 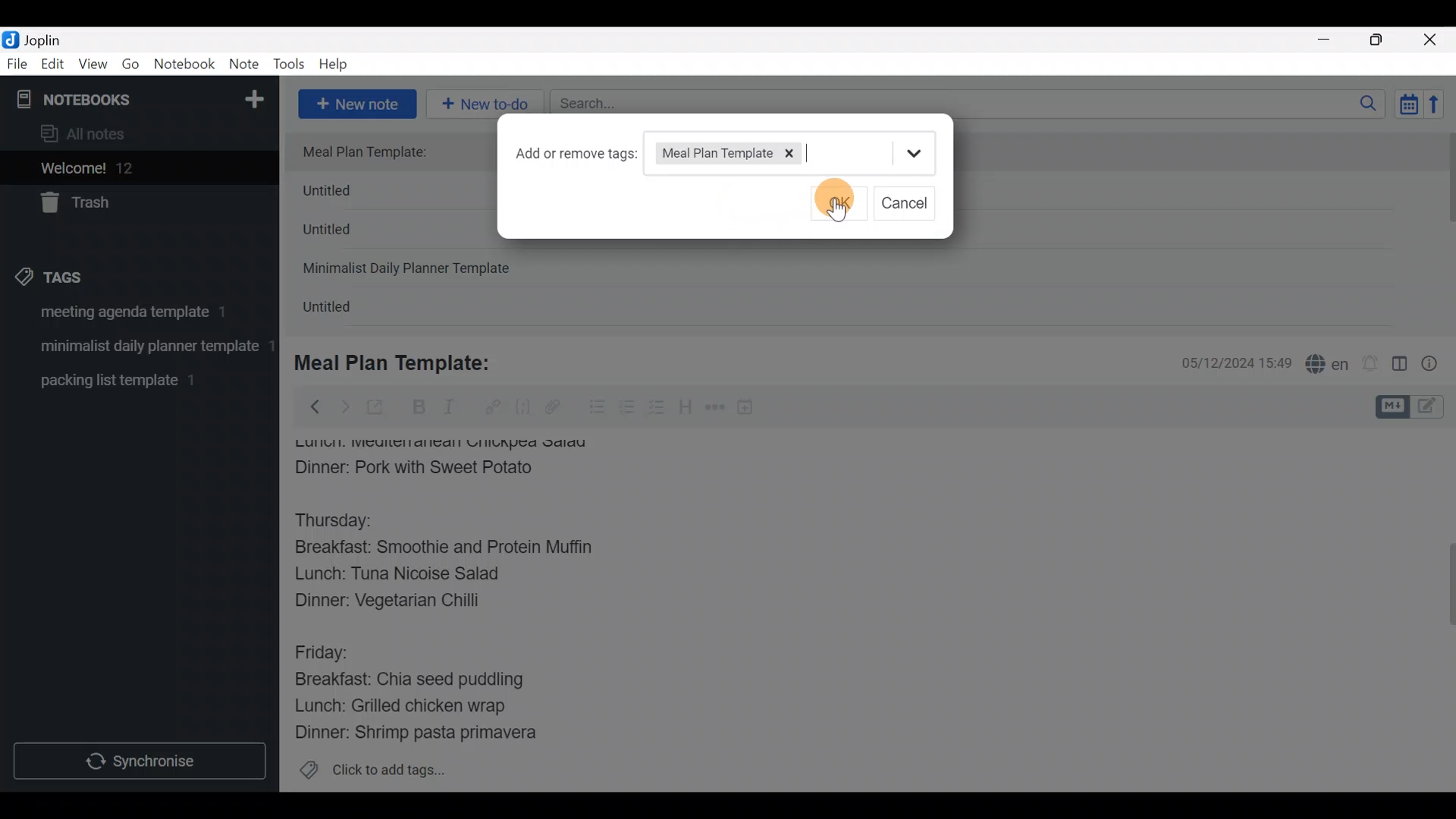 I want to click on Minimalist Daily Planner Template, so click(x=411, y=270).